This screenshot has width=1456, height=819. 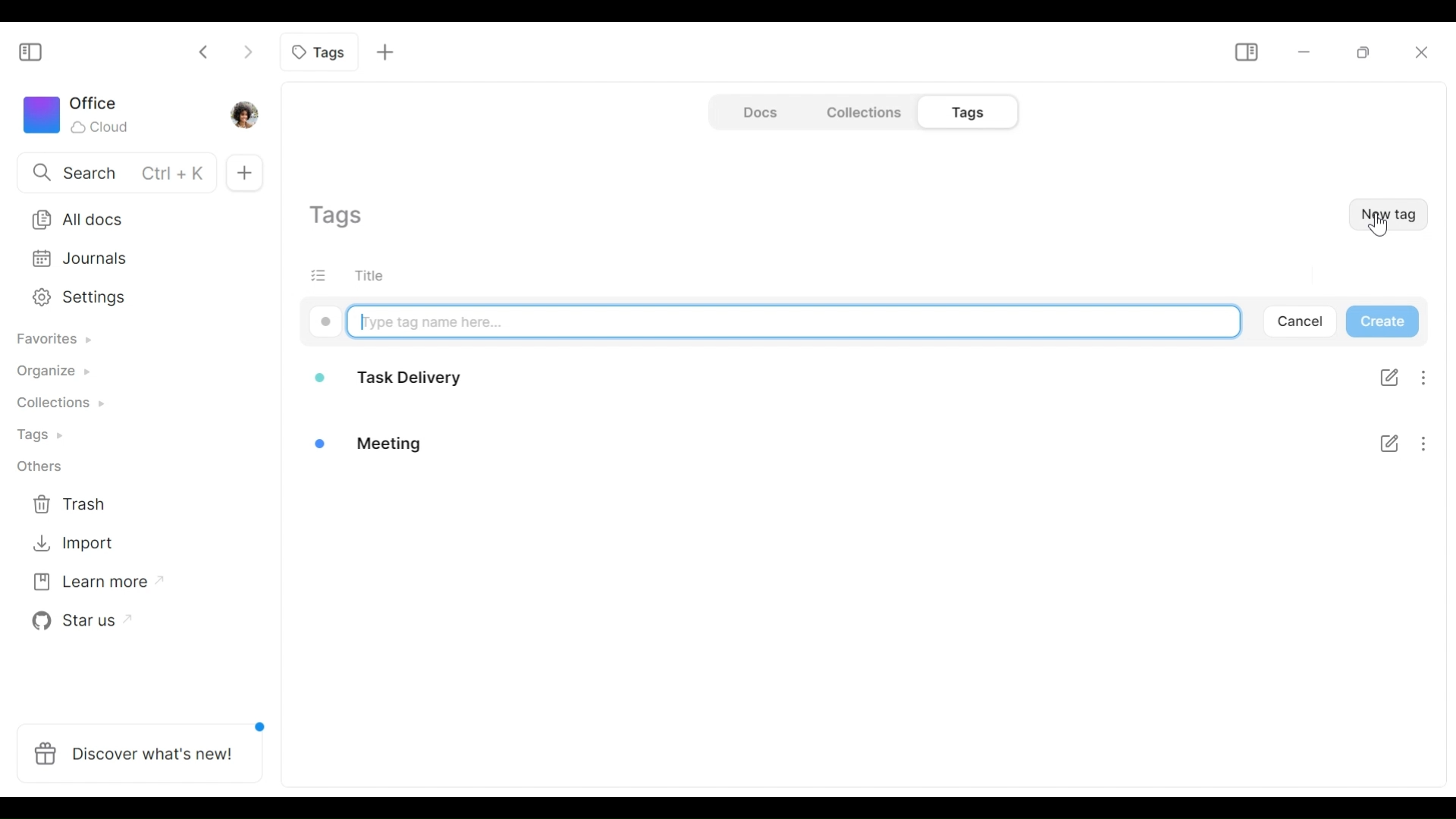 What do you see at coordinates (320, 52) in the screenshot?
I see `Current tab` at bounding box center [320, 52].